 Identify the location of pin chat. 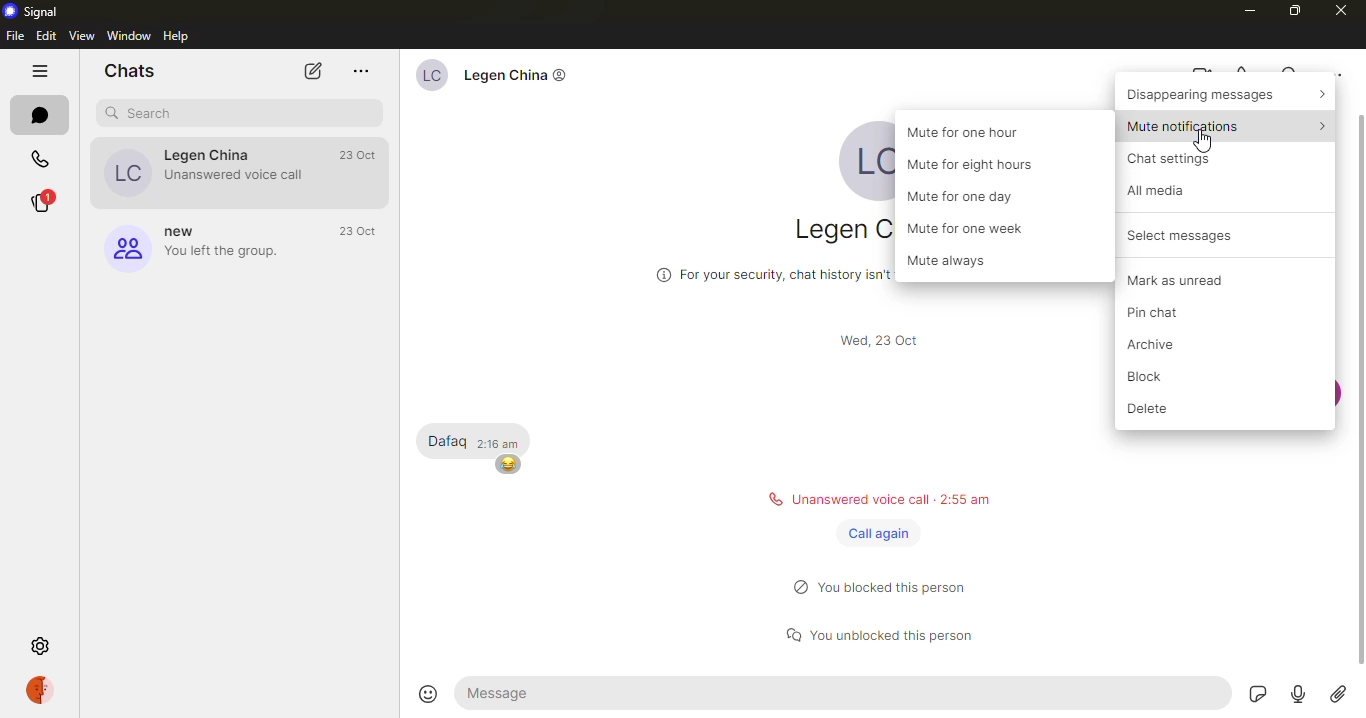
(1170, 315).